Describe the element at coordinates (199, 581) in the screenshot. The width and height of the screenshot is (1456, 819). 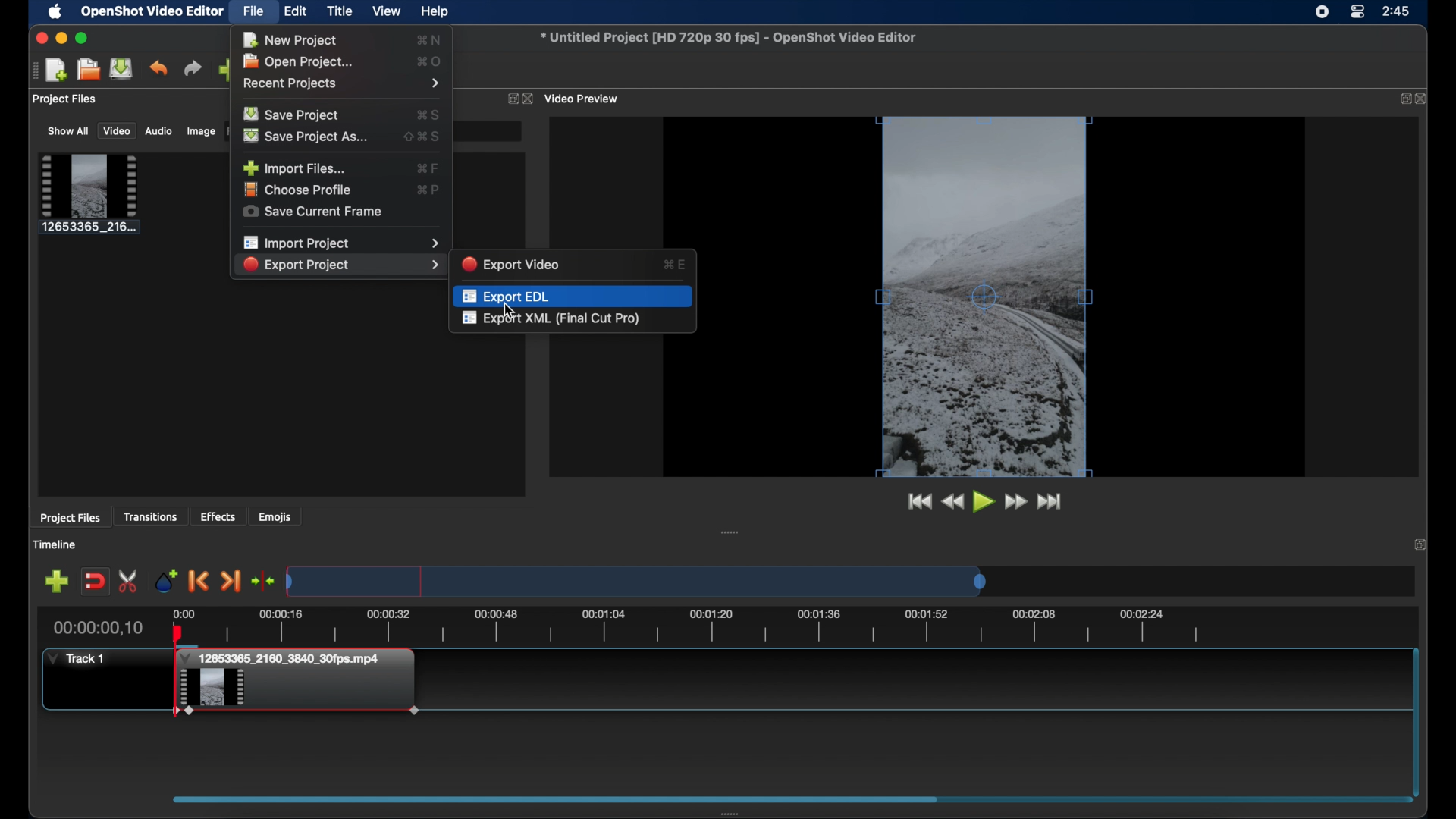
I see `previous marker` at that location.